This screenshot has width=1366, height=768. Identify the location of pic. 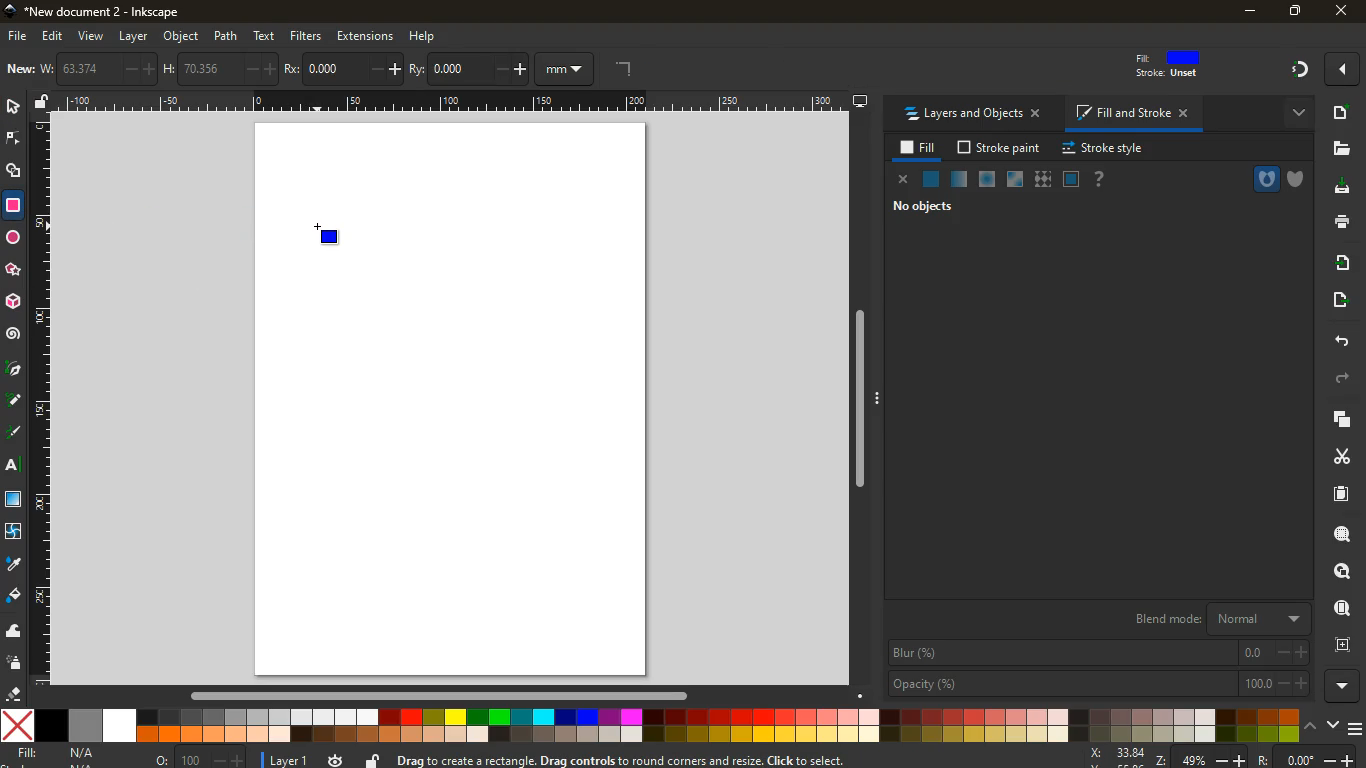
(14, 366).